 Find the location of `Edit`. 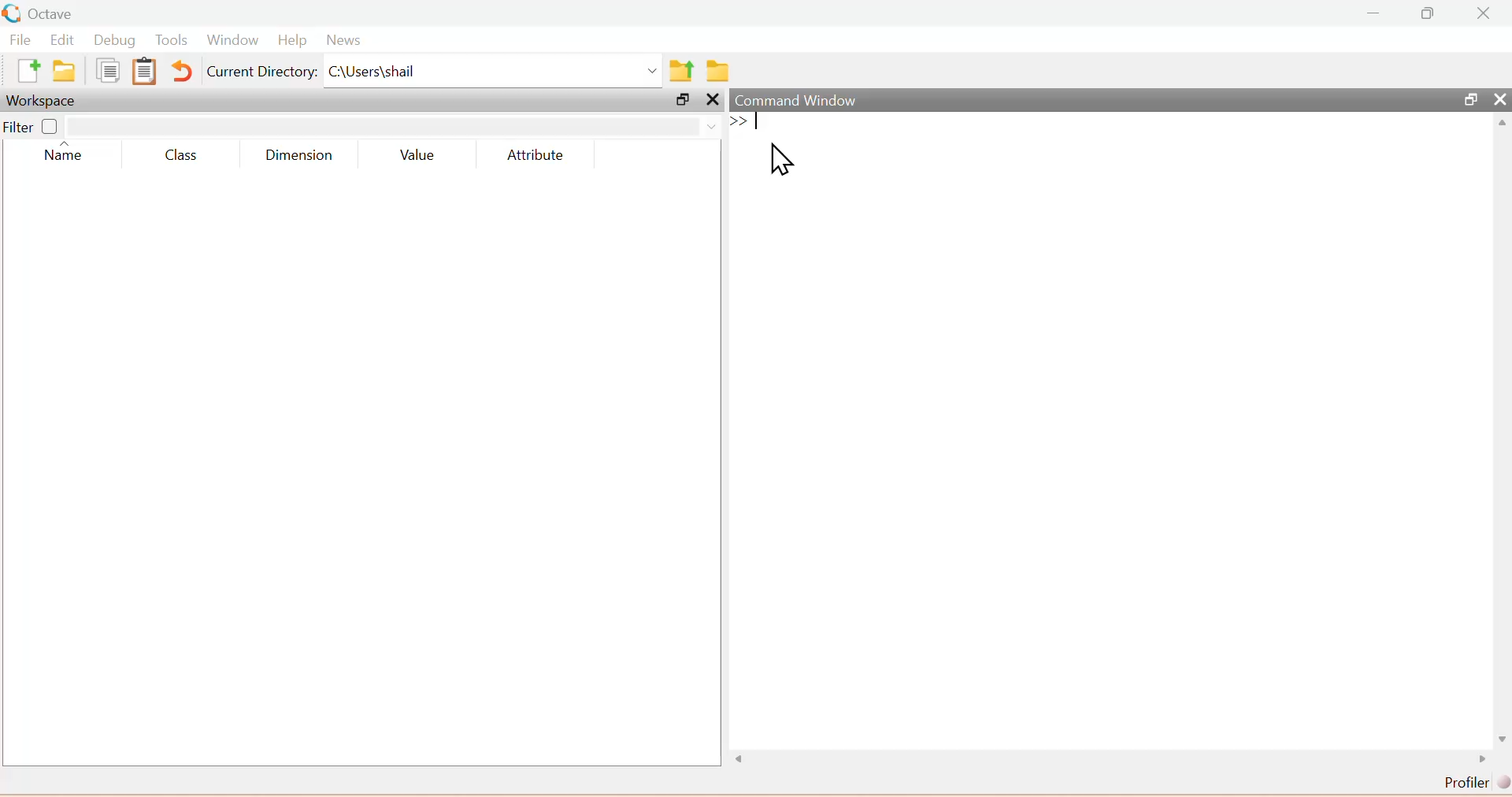

Edit is located at coordinates (64, 40).